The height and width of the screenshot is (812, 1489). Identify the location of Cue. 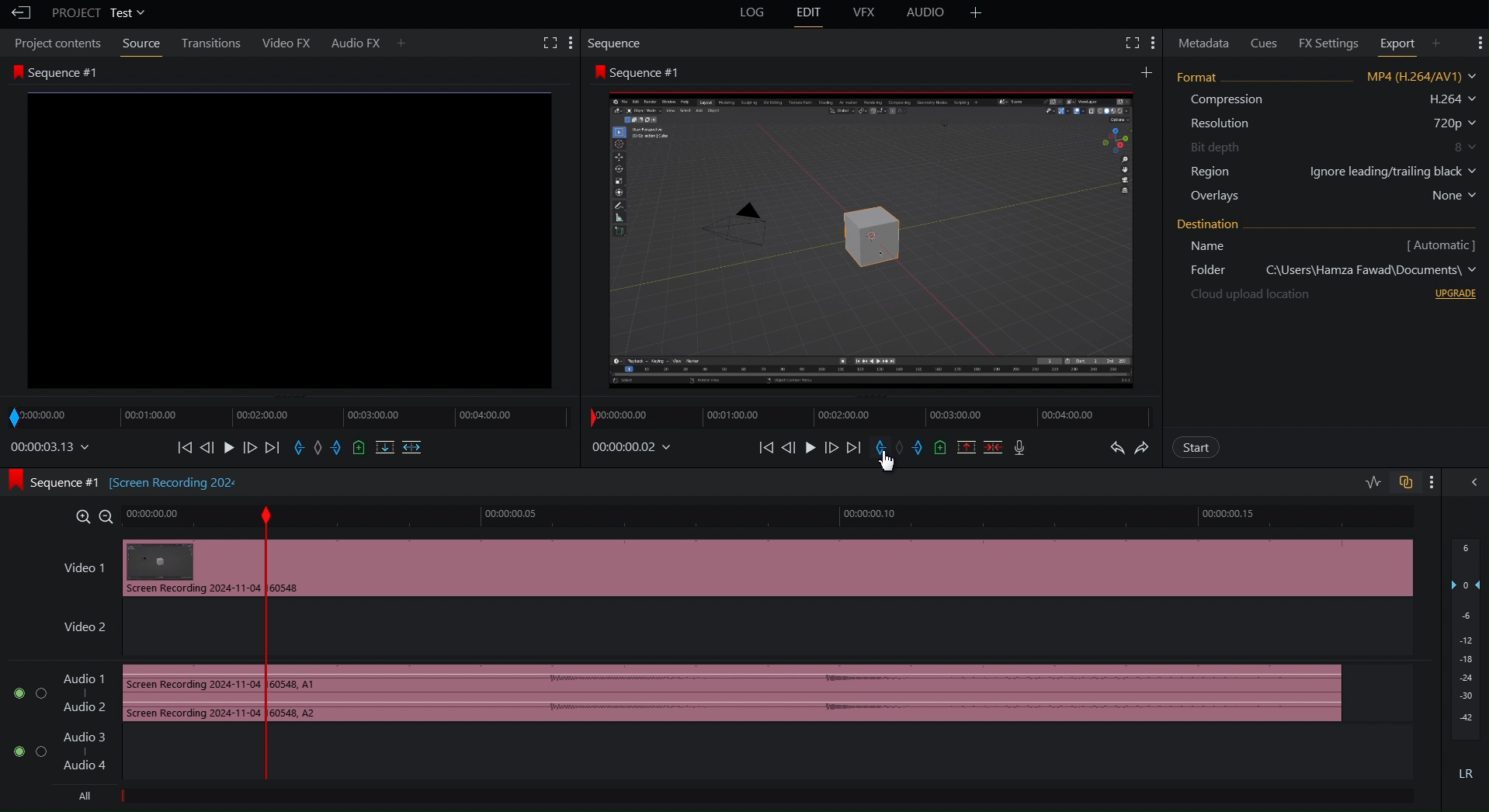
(942, 448).